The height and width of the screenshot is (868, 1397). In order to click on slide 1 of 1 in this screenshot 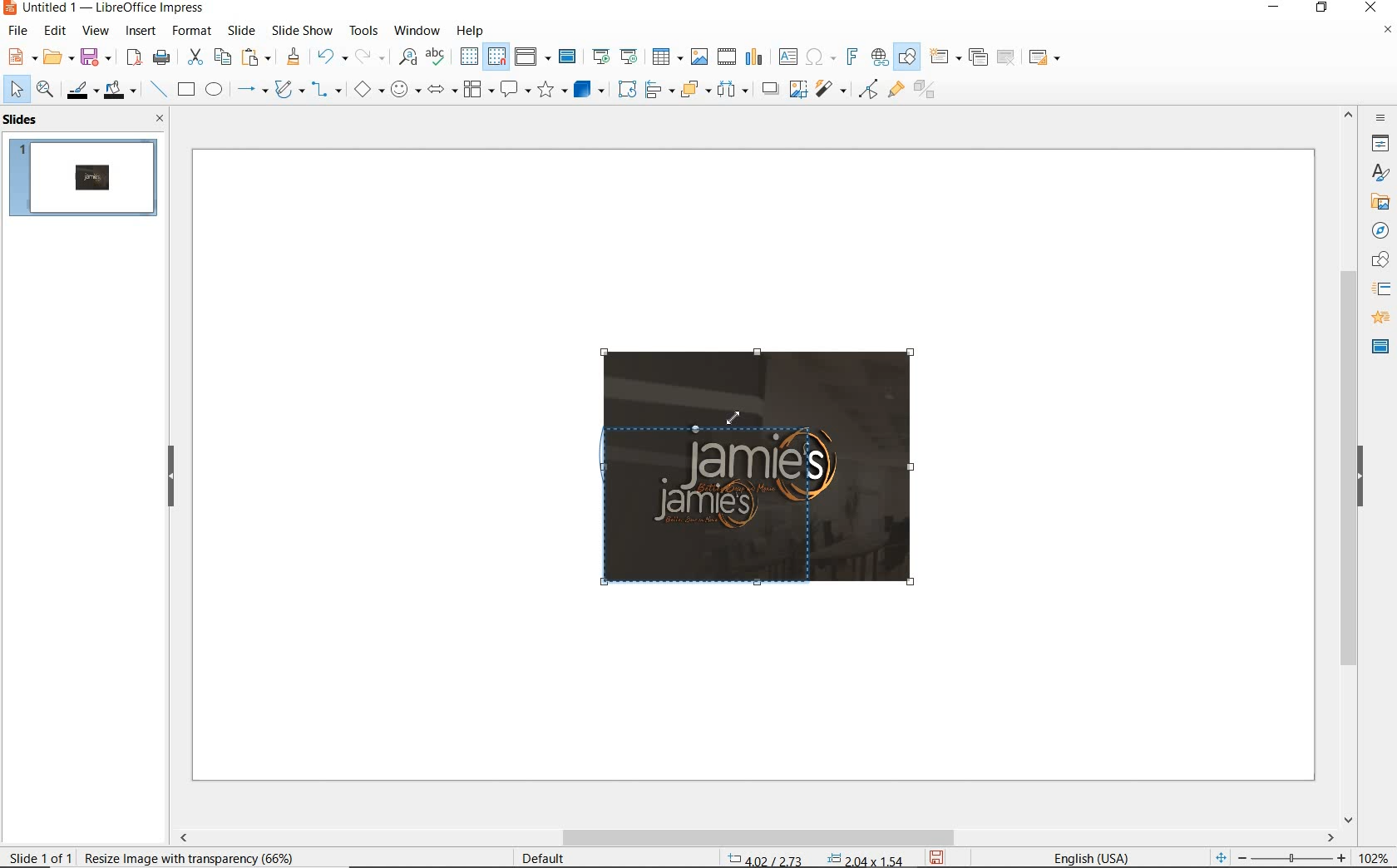, I will do `click(42, 854)`.